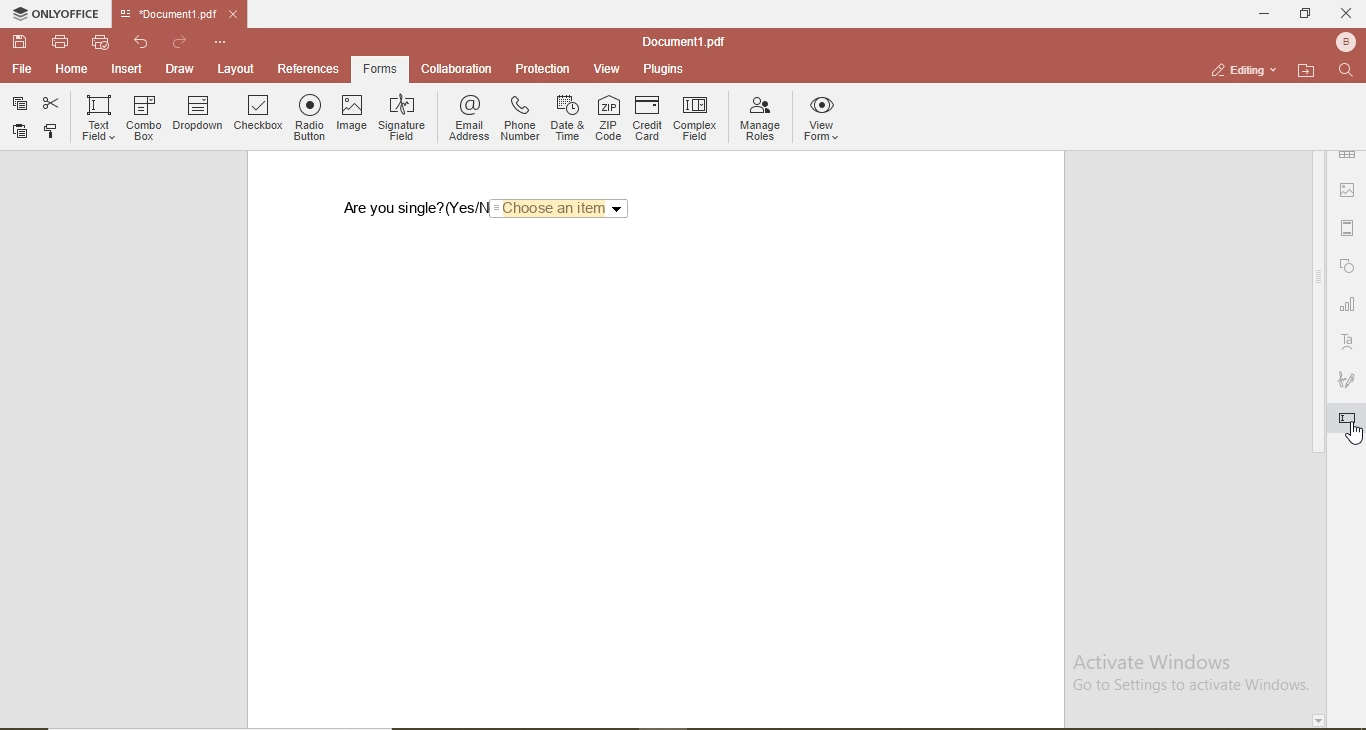 The image size is (1366, 730). Describe the element at coordinates (179, 69) in the screenshot. I see `draw` at that location.